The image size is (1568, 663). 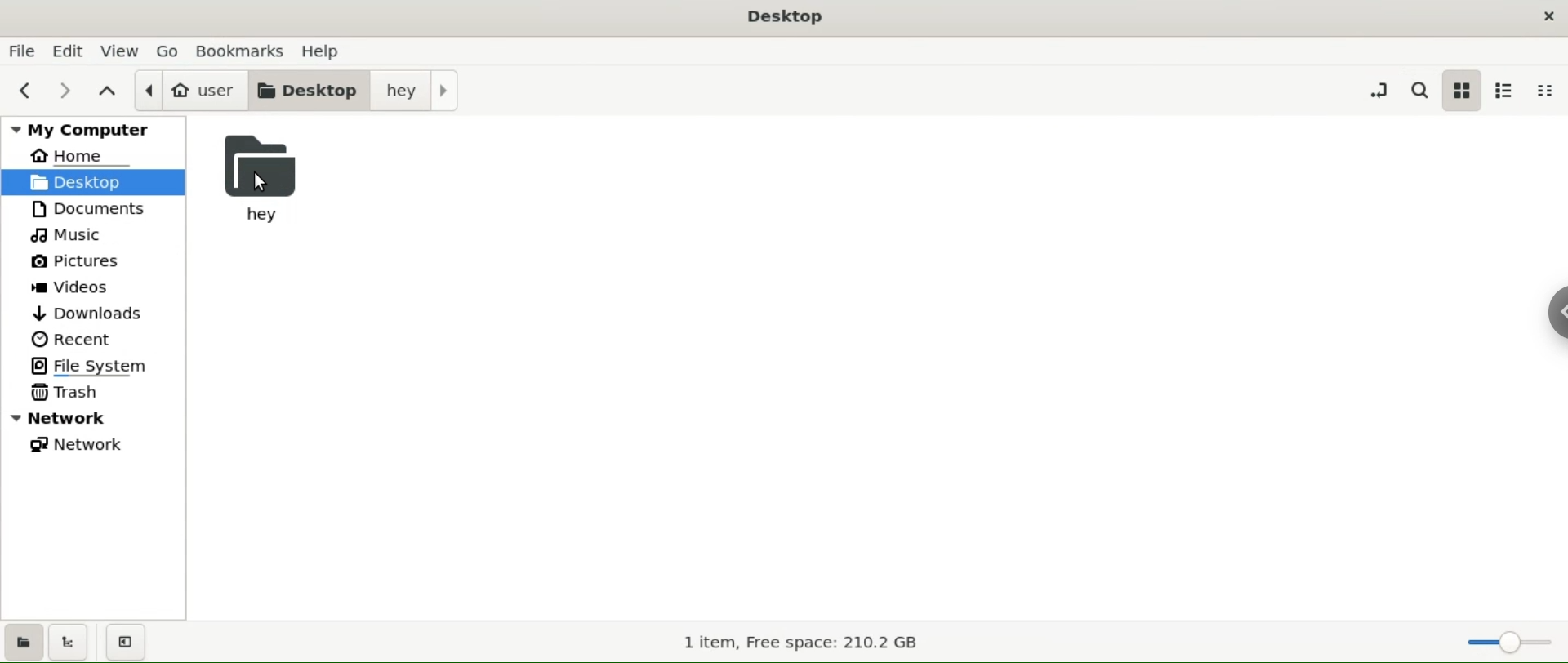 What do you see at coordinates (91, 365) in the screenshot?
I see `file system` at bounding box center [91, 365].